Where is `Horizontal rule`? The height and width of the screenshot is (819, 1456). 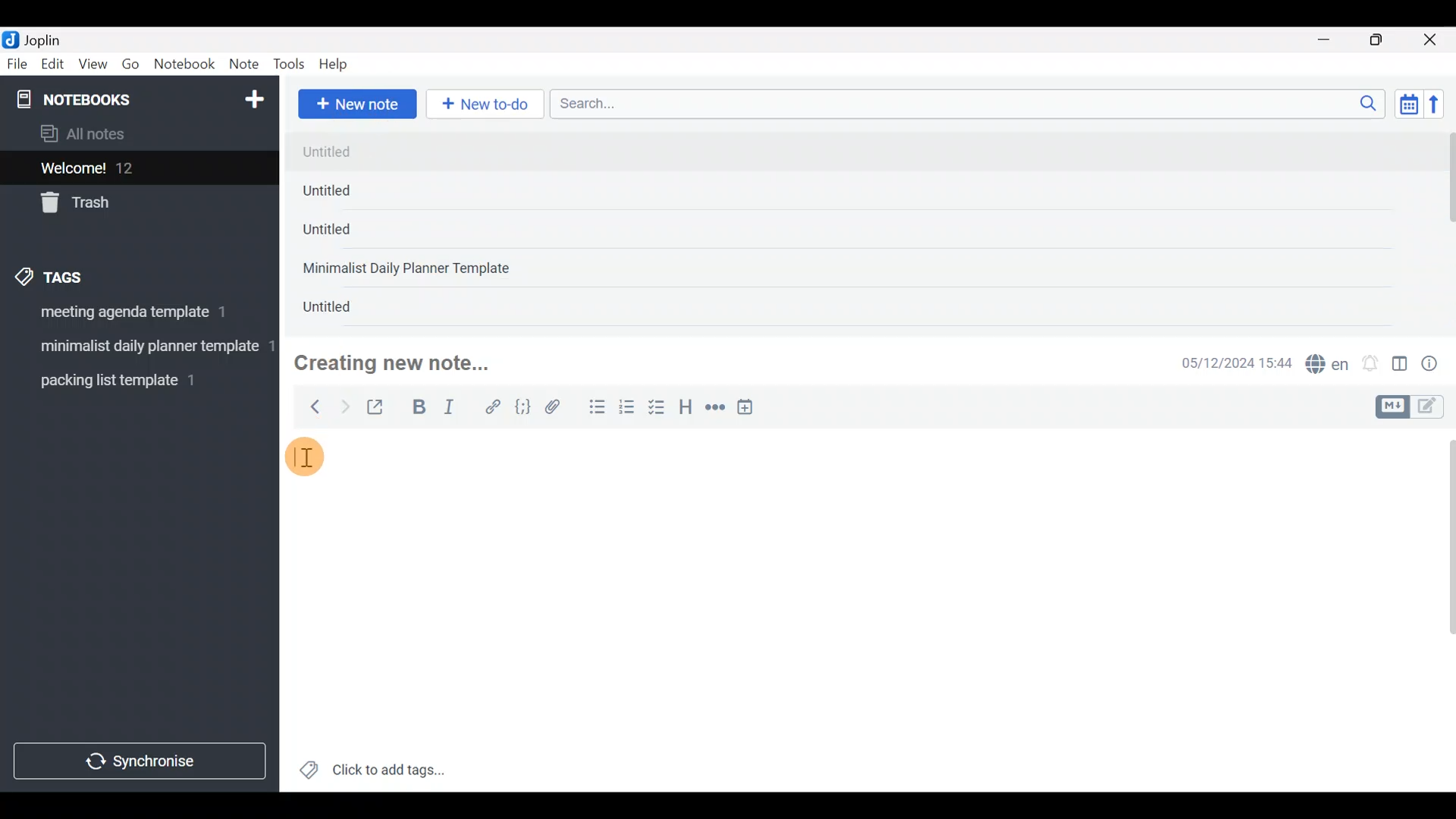
Horizontal rule is located at coordinates (715, 409).